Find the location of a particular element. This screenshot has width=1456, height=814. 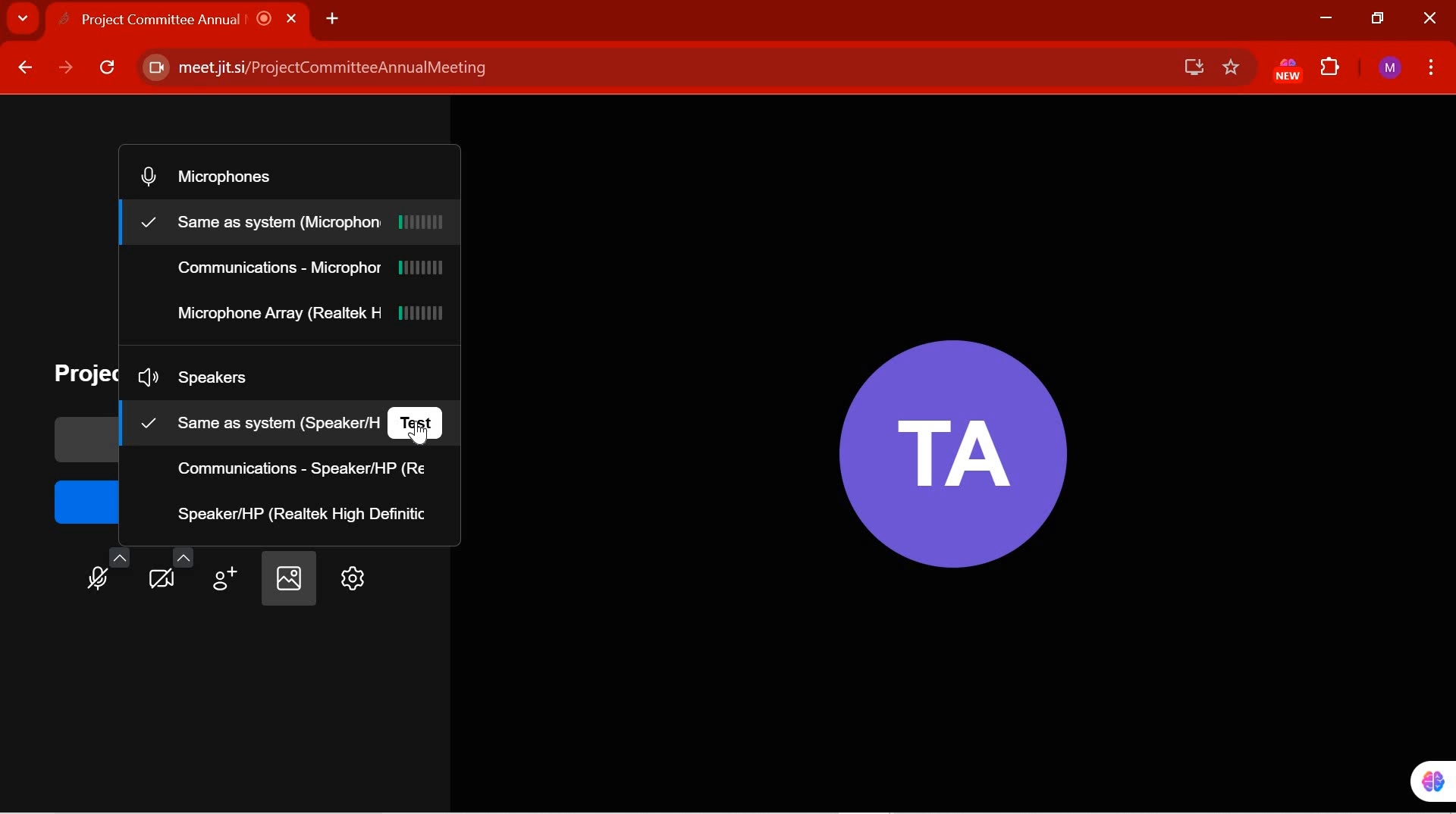

pinned extension is located at coordinates (1422, 781).